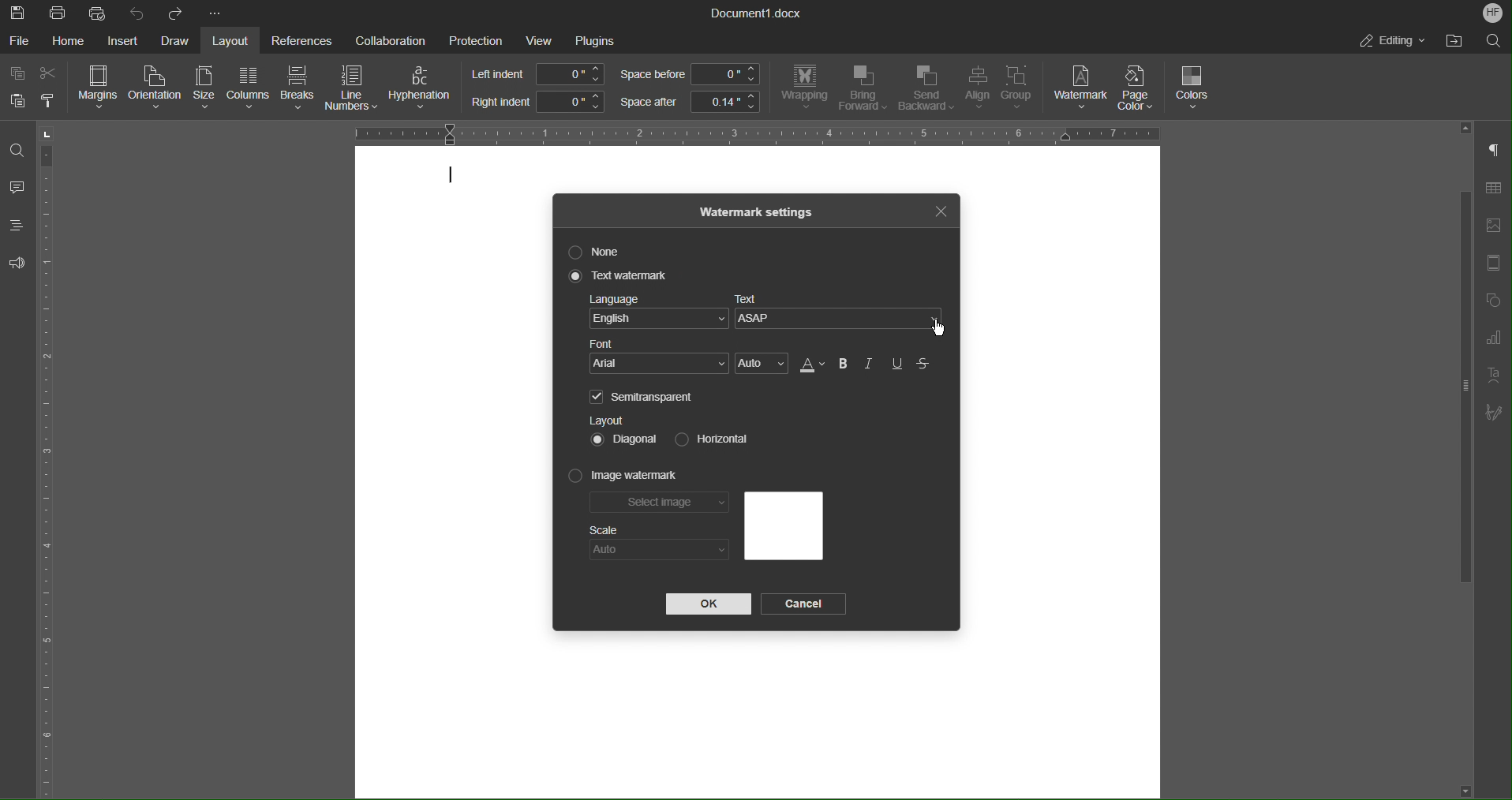 The image size is (1512, 800). What do you see at coordinates (71, 41) in the screenshot?
I see `Home` at bounding box center [71, 41].